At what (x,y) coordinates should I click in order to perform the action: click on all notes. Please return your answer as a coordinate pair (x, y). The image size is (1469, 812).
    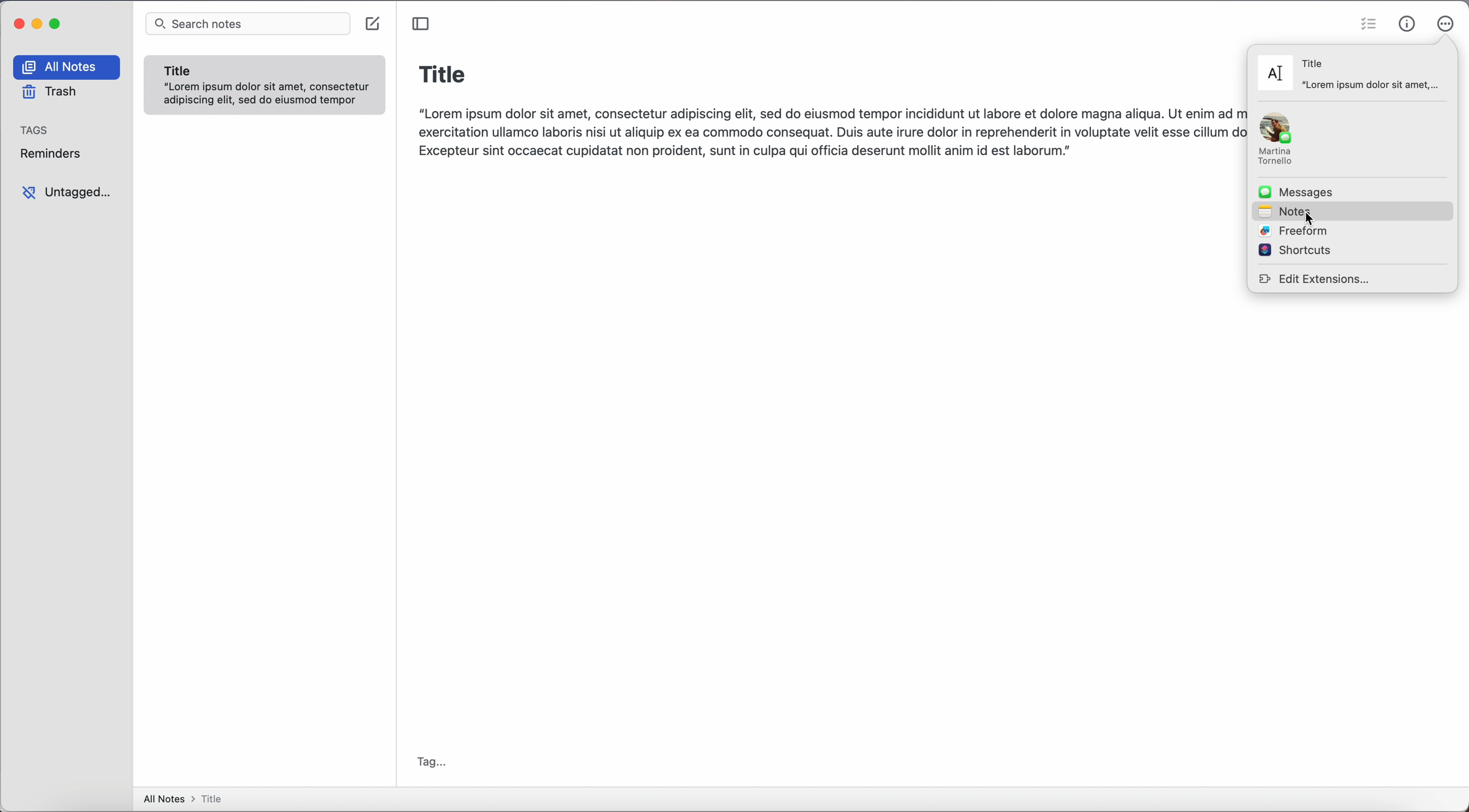
    Looking at the image, I should click on (69, 67).